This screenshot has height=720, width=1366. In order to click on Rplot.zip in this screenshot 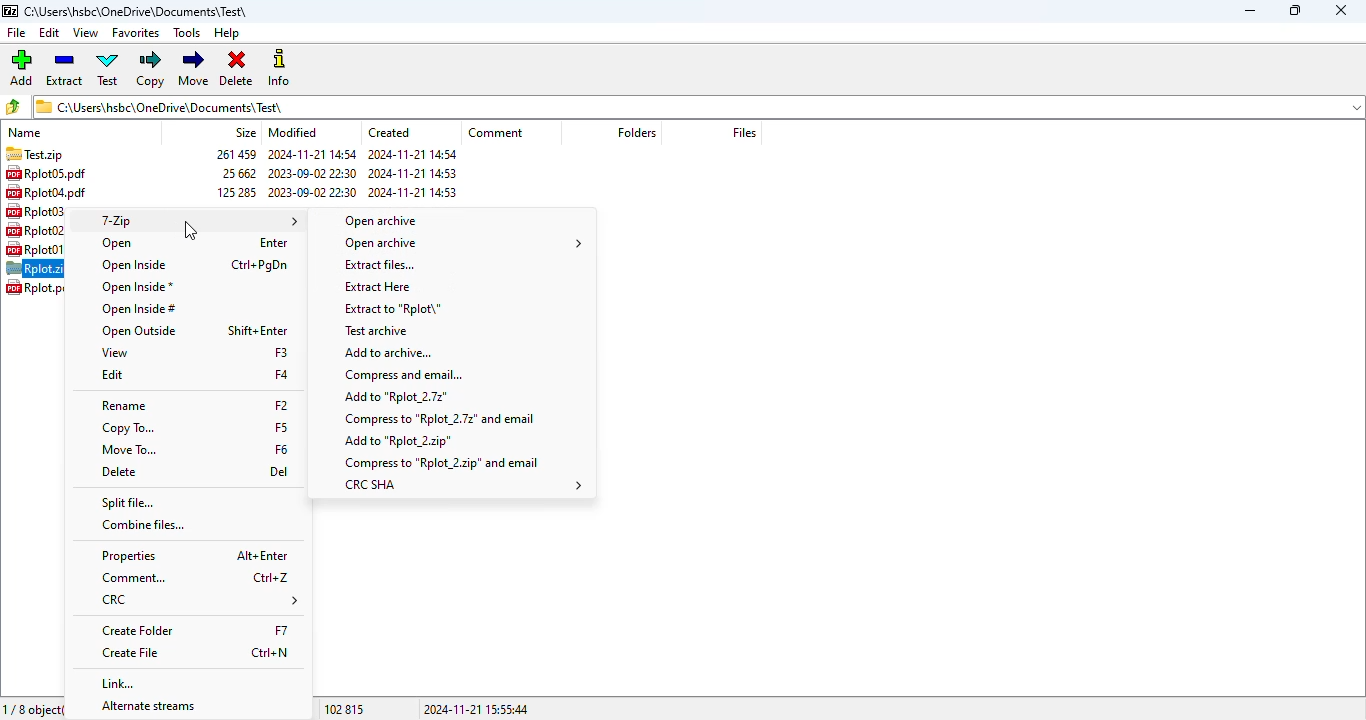, I will do `click(35, 270)`.